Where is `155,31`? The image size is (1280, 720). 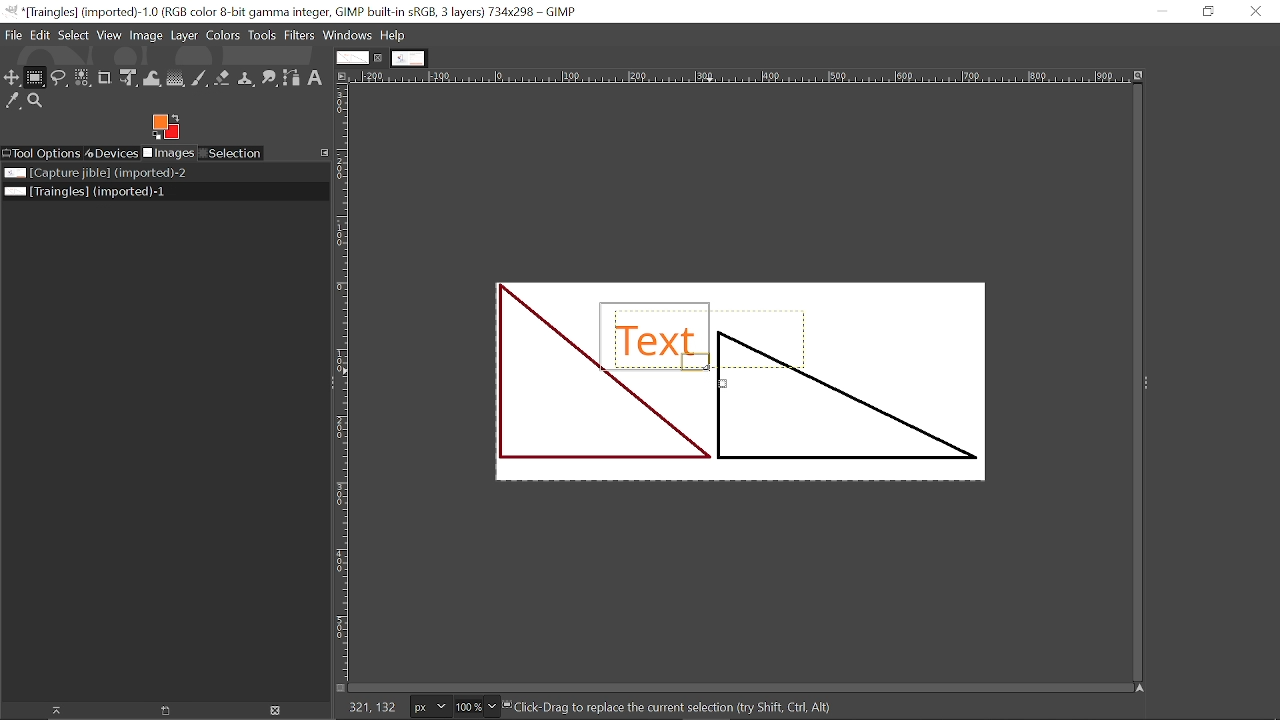 155,31 is located at coordinates (370, 705).